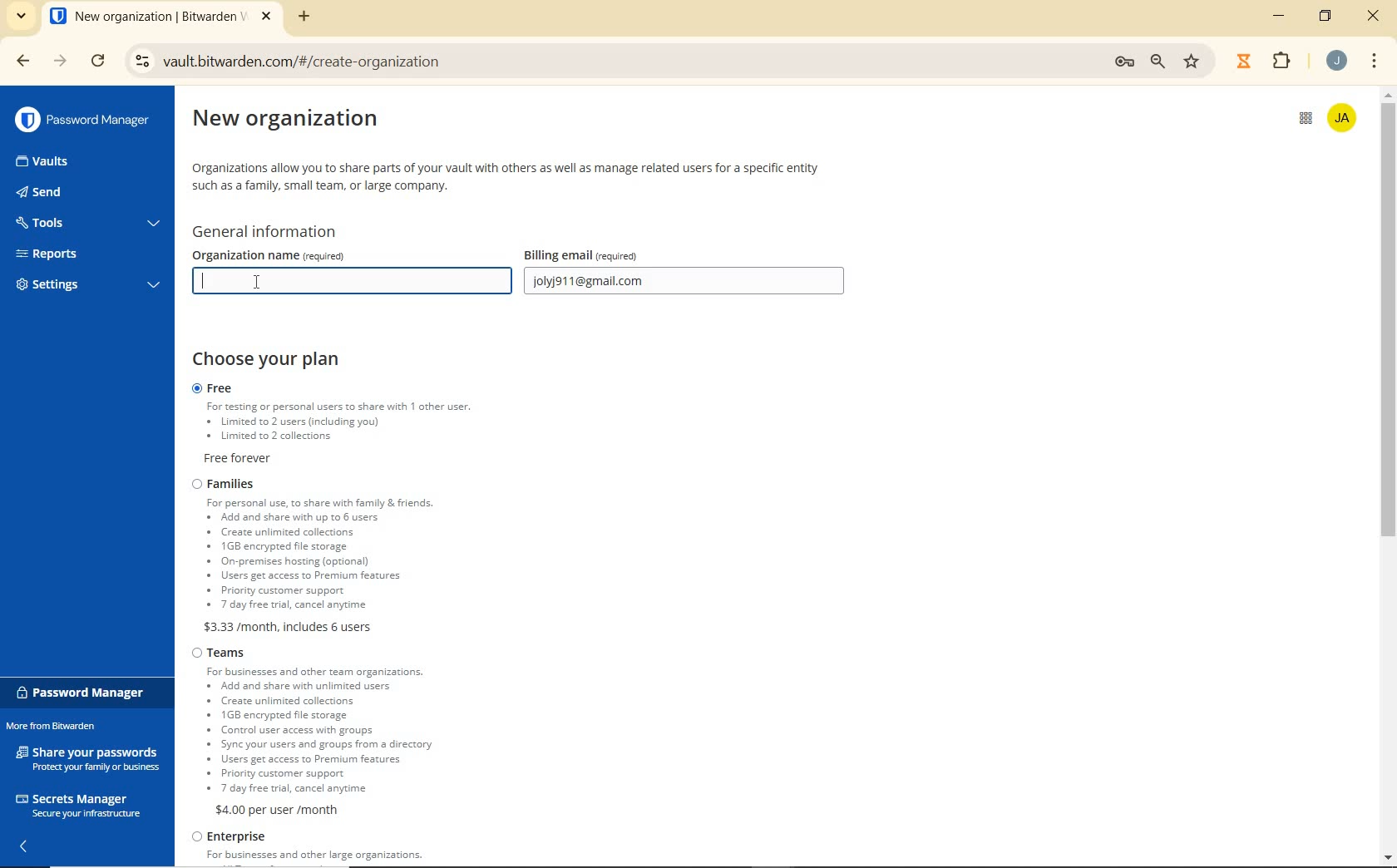 The width and height of the screenshot is (1397, 868). Describe the element at coordinates (1375, 60) in the screenshot. I see `MENU` at that location.